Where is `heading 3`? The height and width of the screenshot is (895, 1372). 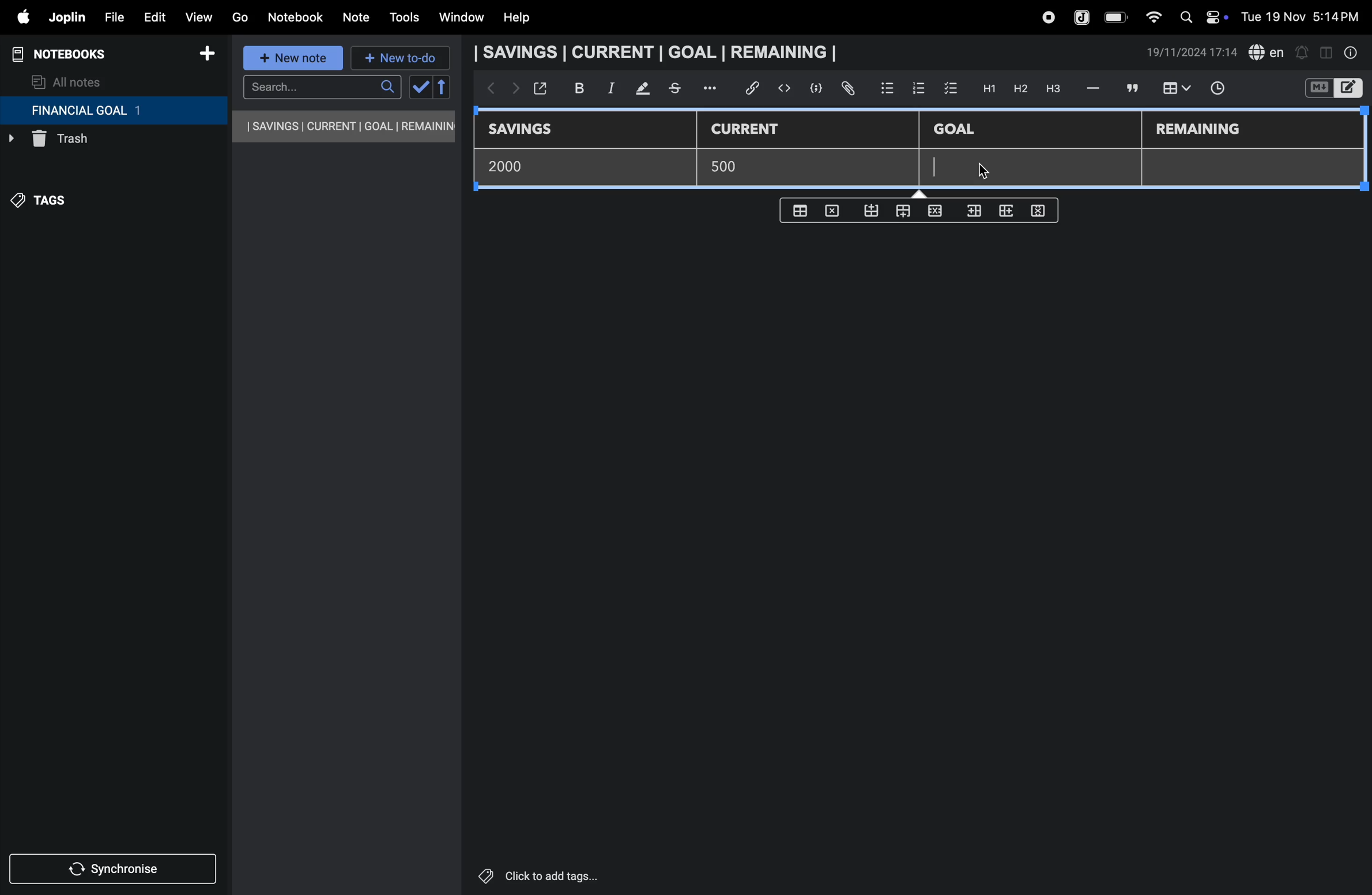
heading 3 is located at coordinates (1053, 89).